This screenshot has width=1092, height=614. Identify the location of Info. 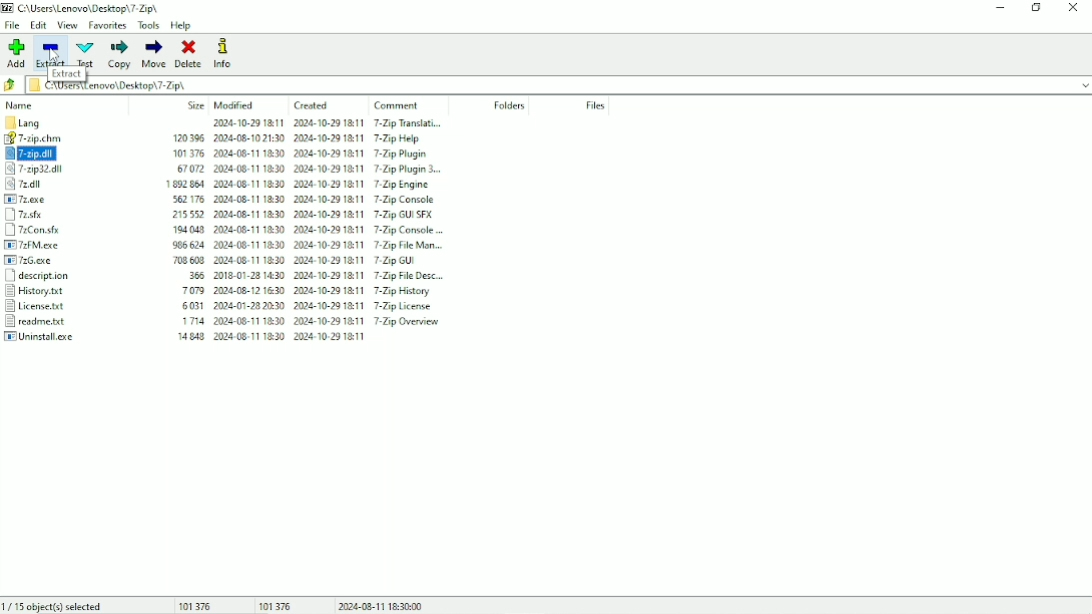
(225, 54).